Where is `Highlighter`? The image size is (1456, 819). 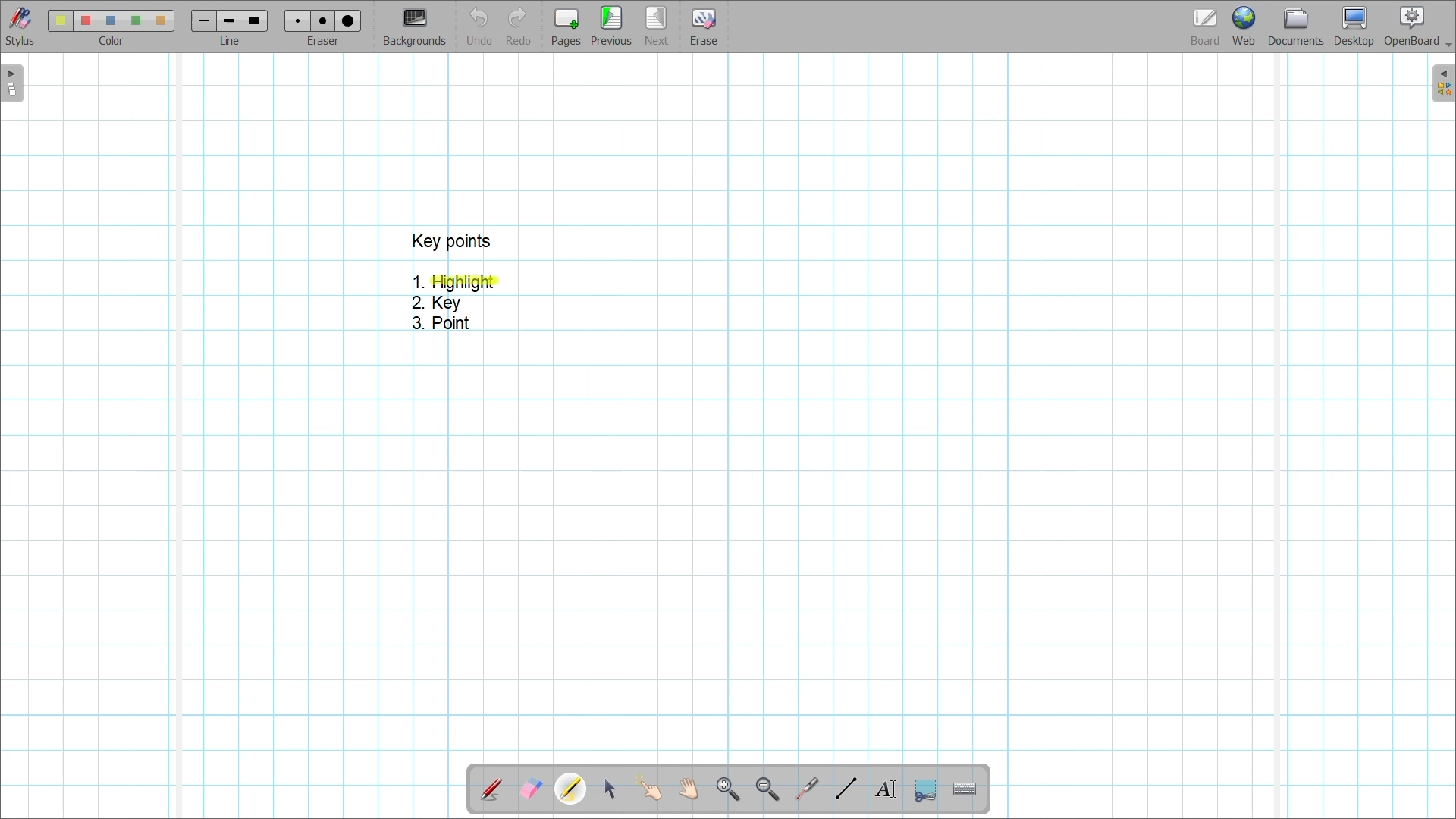
Highlighter is located at coordinates (570, 789).